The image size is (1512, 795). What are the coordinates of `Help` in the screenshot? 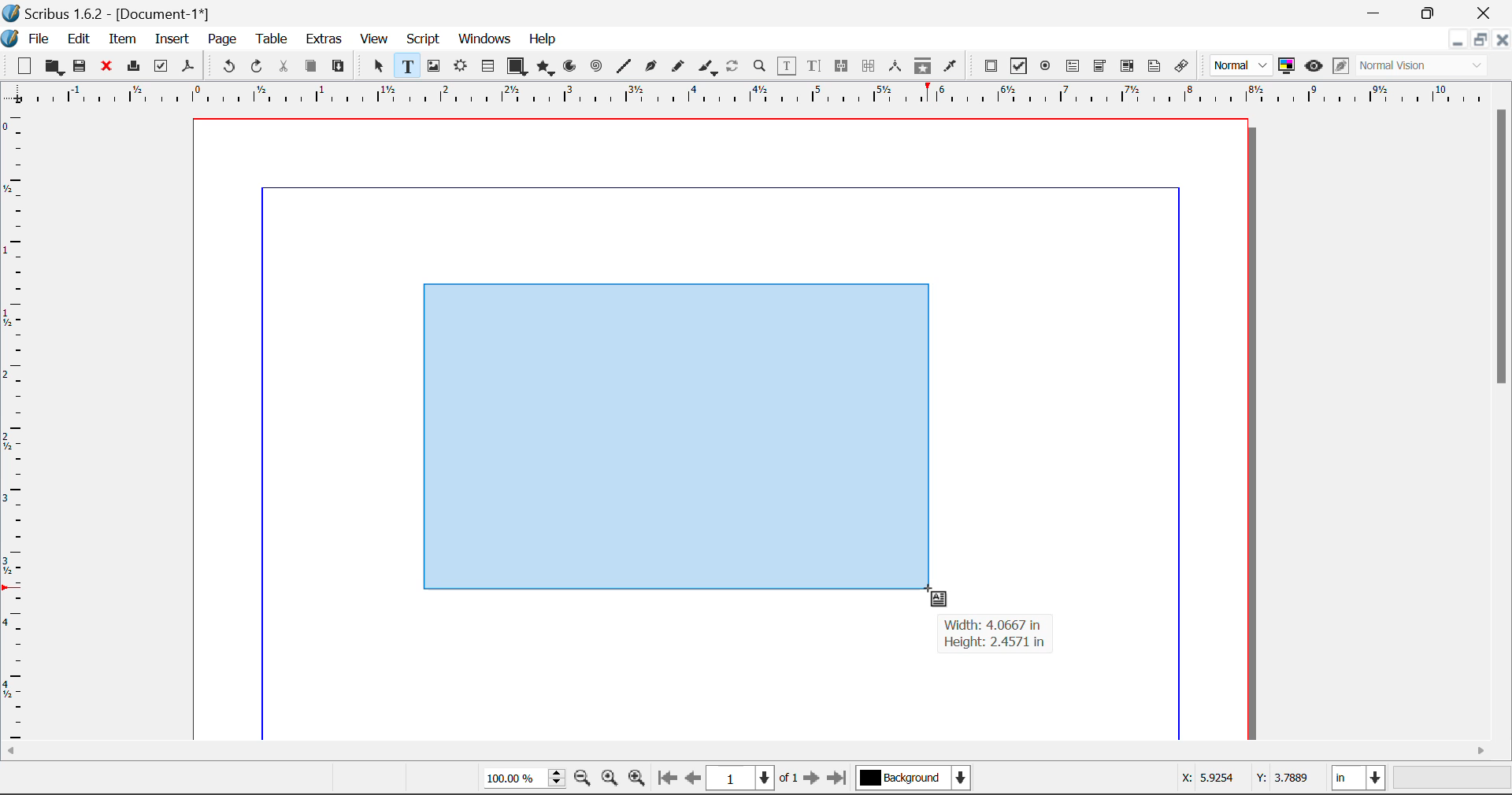 It's located at (543, 39).